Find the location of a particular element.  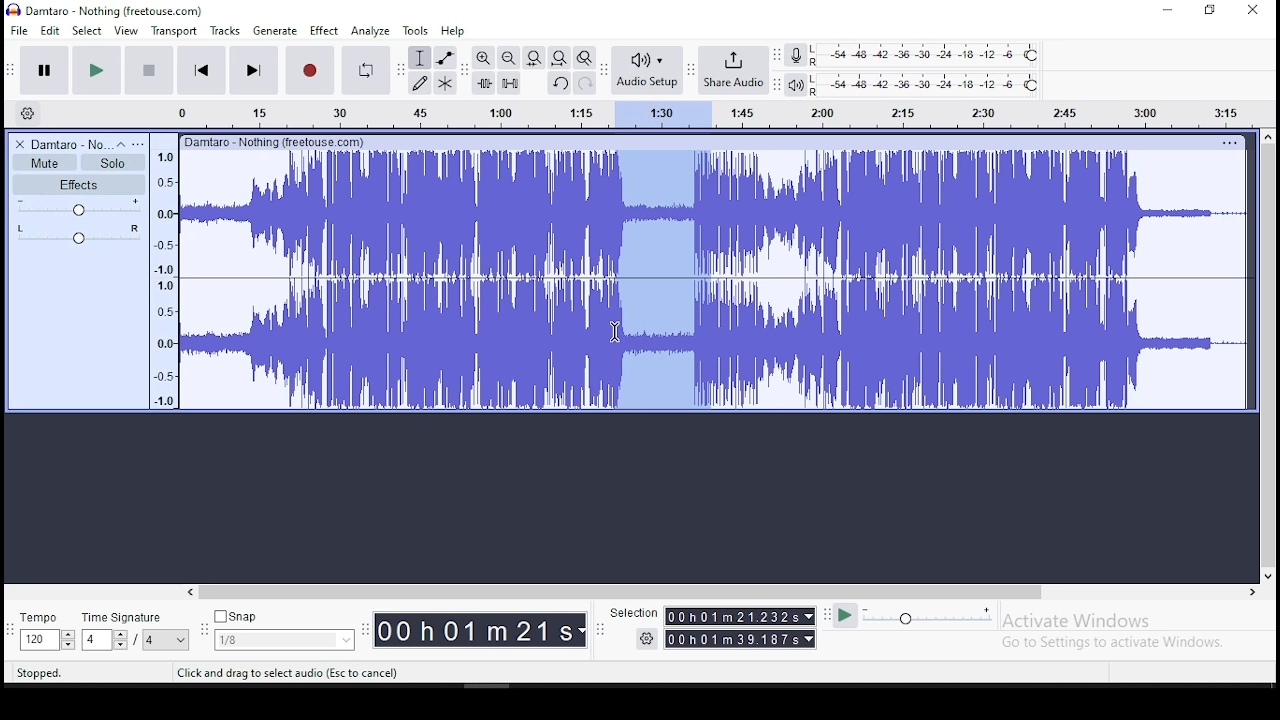

generate is located at coordinates (273, 31).